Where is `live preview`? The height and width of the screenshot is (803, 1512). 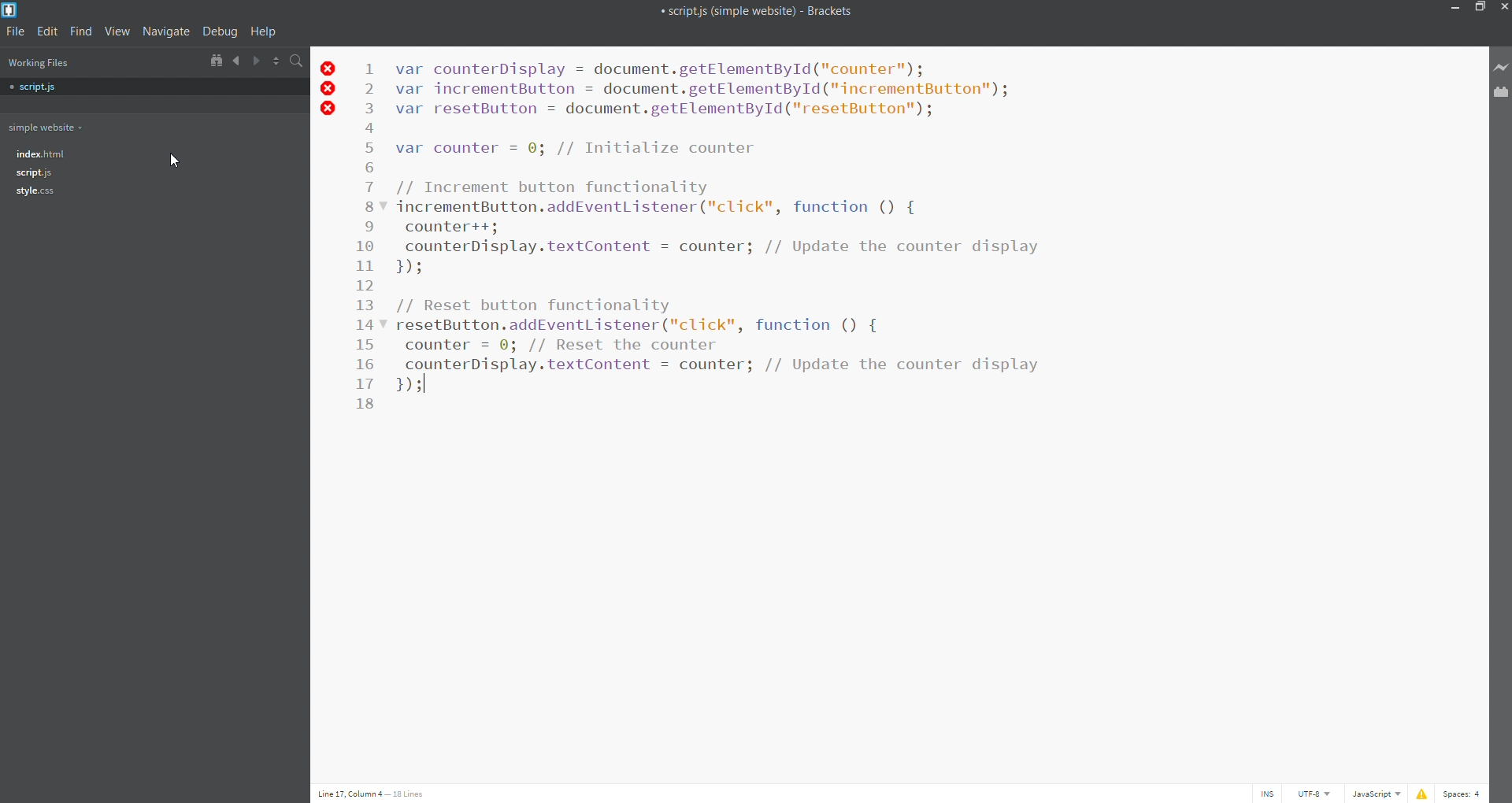 live preview is located at coordinates (1502, 68).